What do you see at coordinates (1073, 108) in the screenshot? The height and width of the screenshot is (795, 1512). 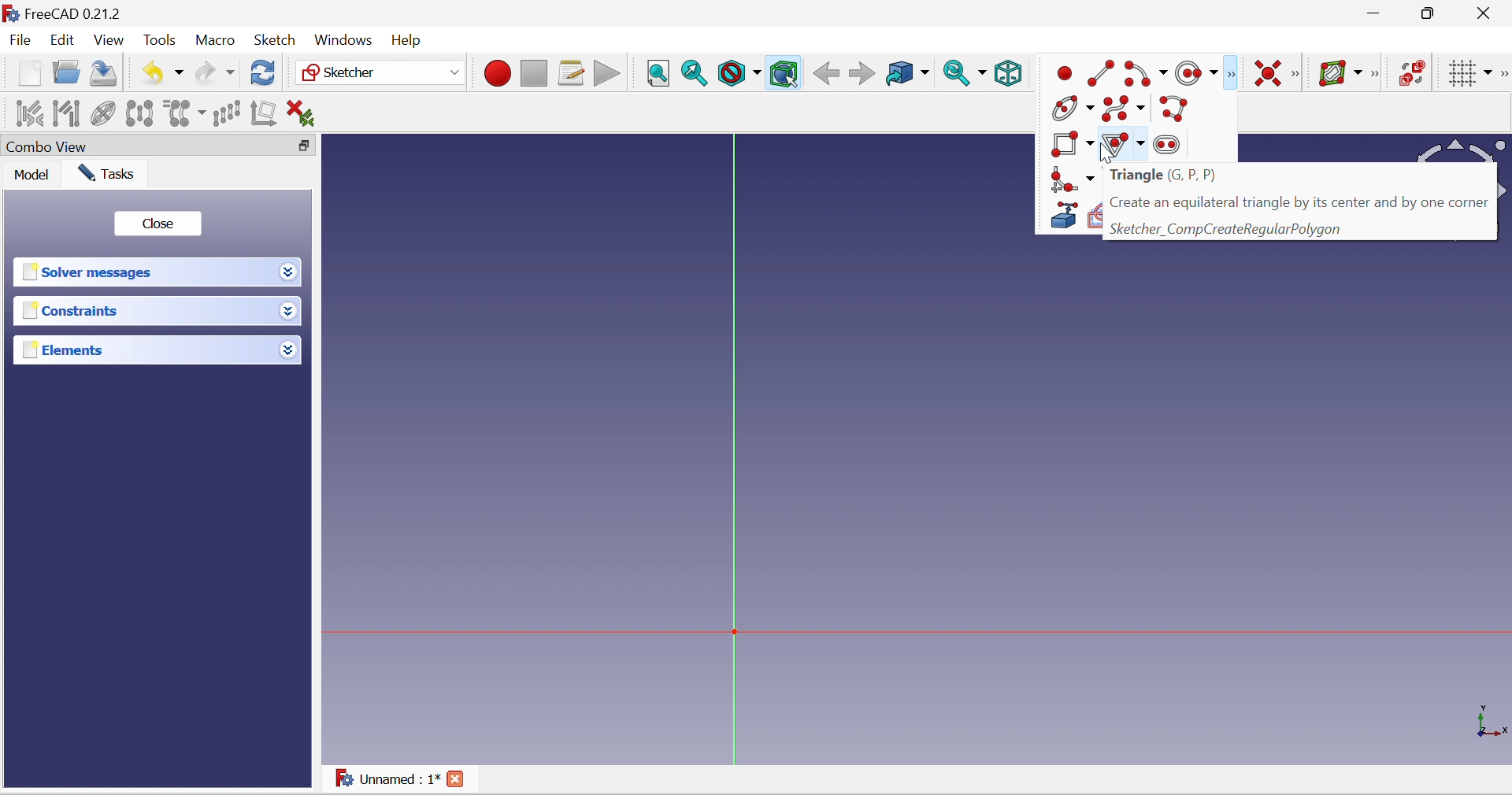 I see `Create conic` at bounding box center [1073, 108].